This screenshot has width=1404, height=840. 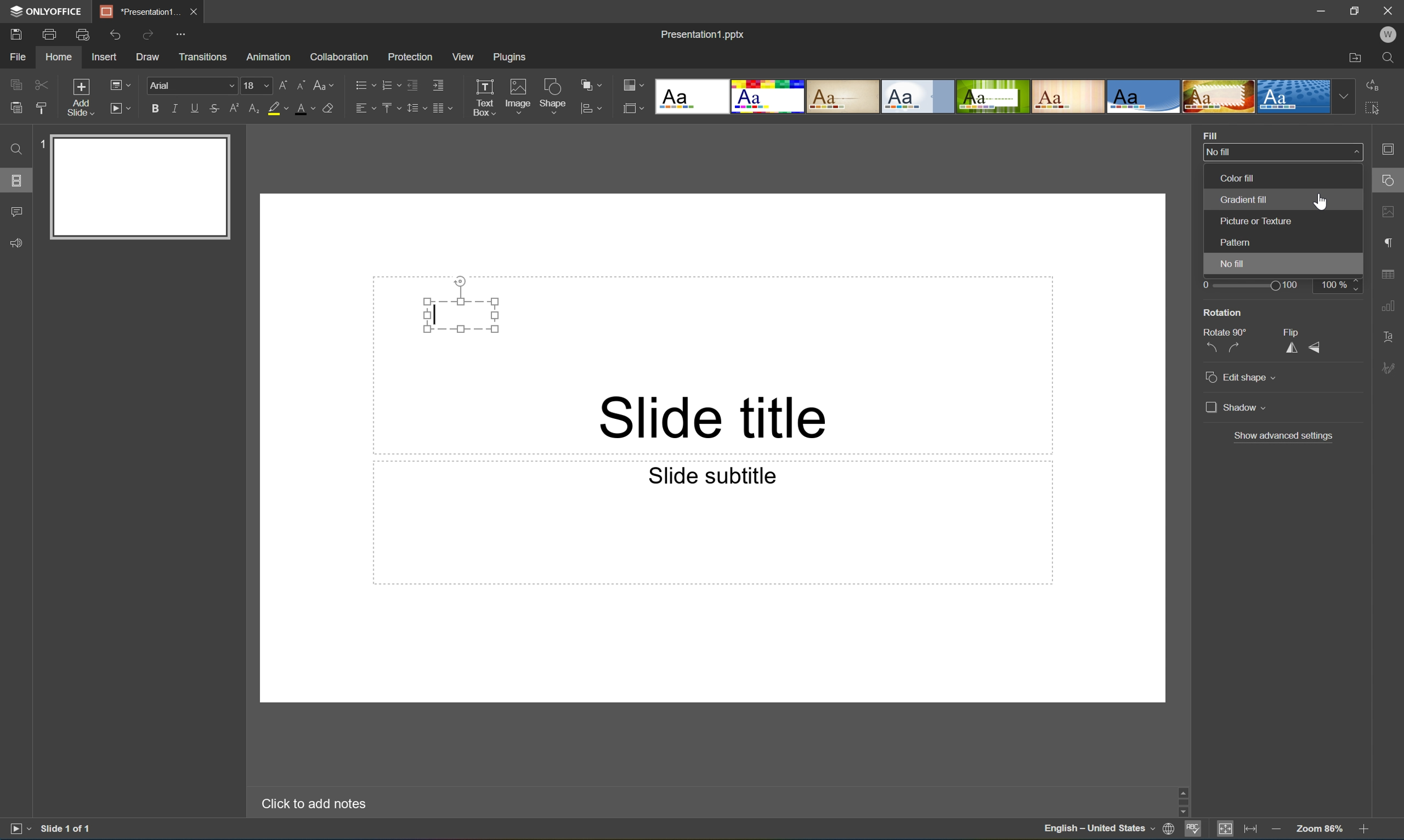 I want to click on Clear style, so click(x=328, y=107).